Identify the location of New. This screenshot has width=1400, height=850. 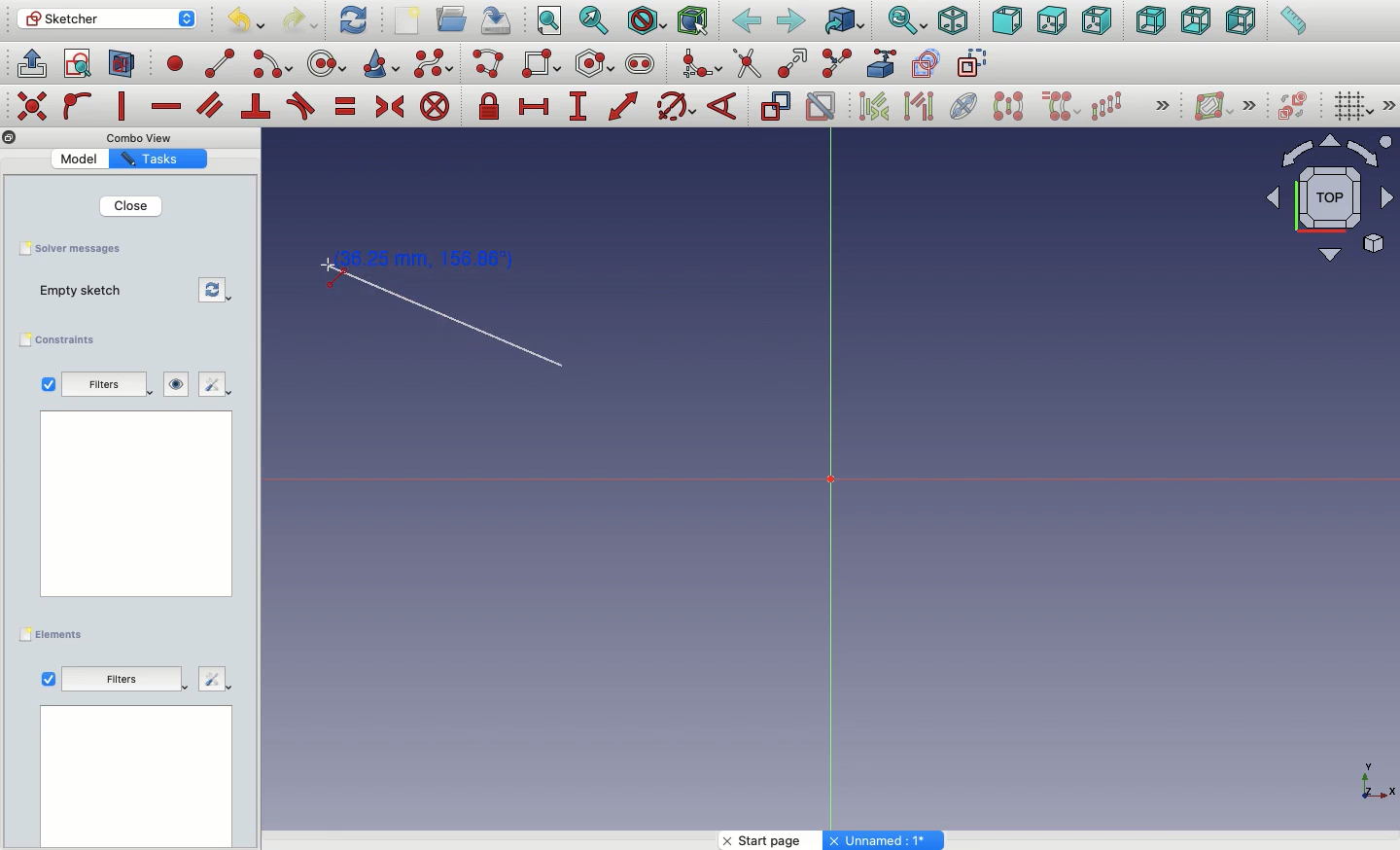
(409, 20).